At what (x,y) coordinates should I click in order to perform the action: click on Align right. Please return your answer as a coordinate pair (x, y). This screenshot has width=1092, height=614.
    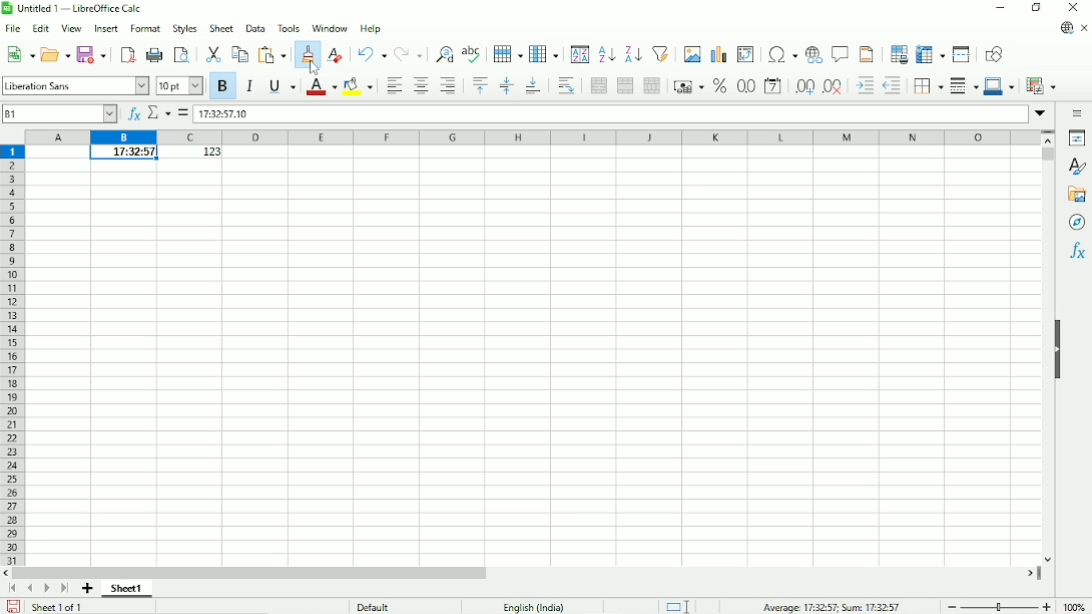
    Looking at the image, I should click on (449, 86).